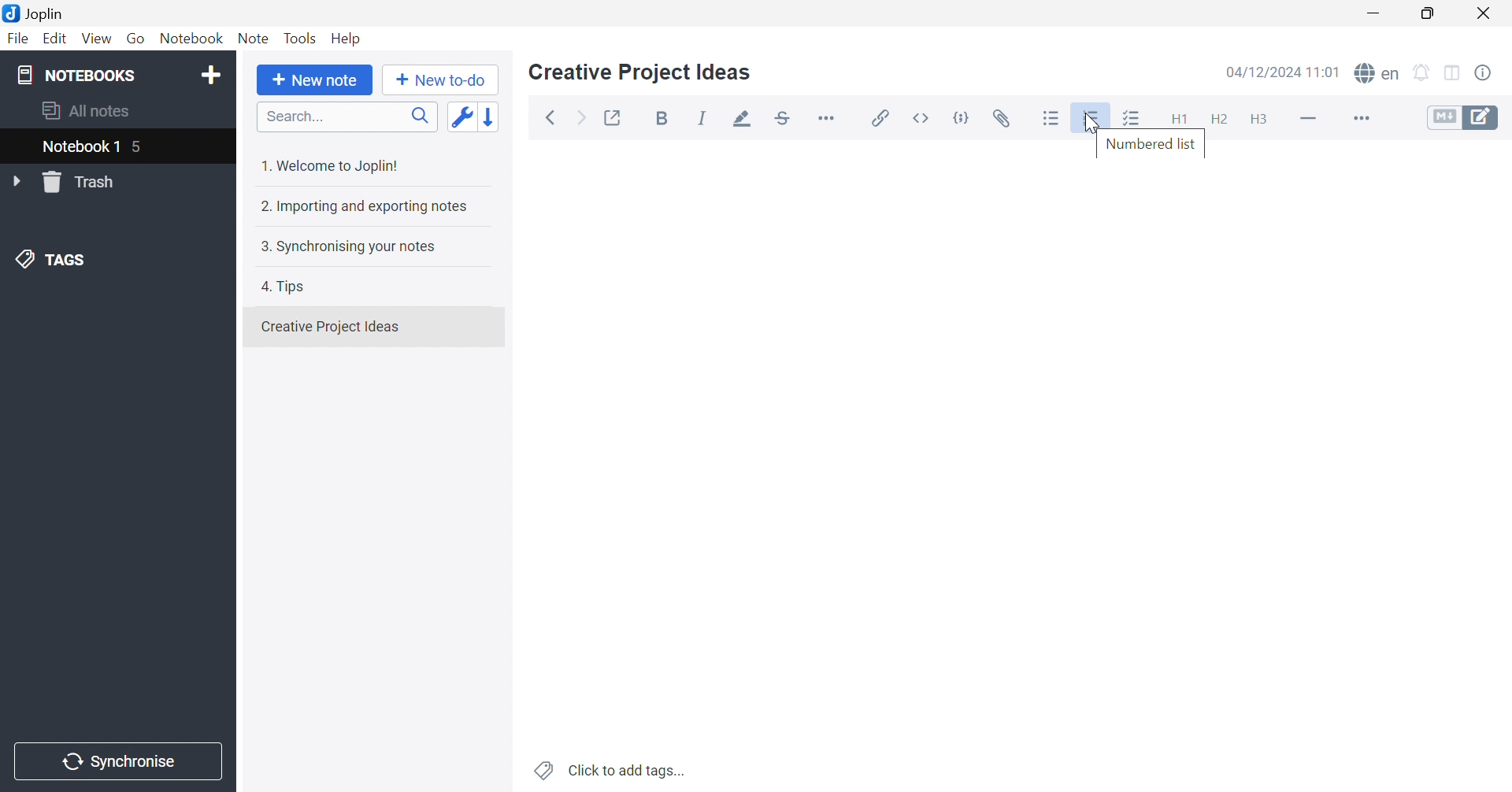 The width and height of the screenshot is (1512, 792). What do you see at coordinates (336, 163) in the screenshot?
I see `1. Welcome to Joplin!` at bounding box center [336, 163].